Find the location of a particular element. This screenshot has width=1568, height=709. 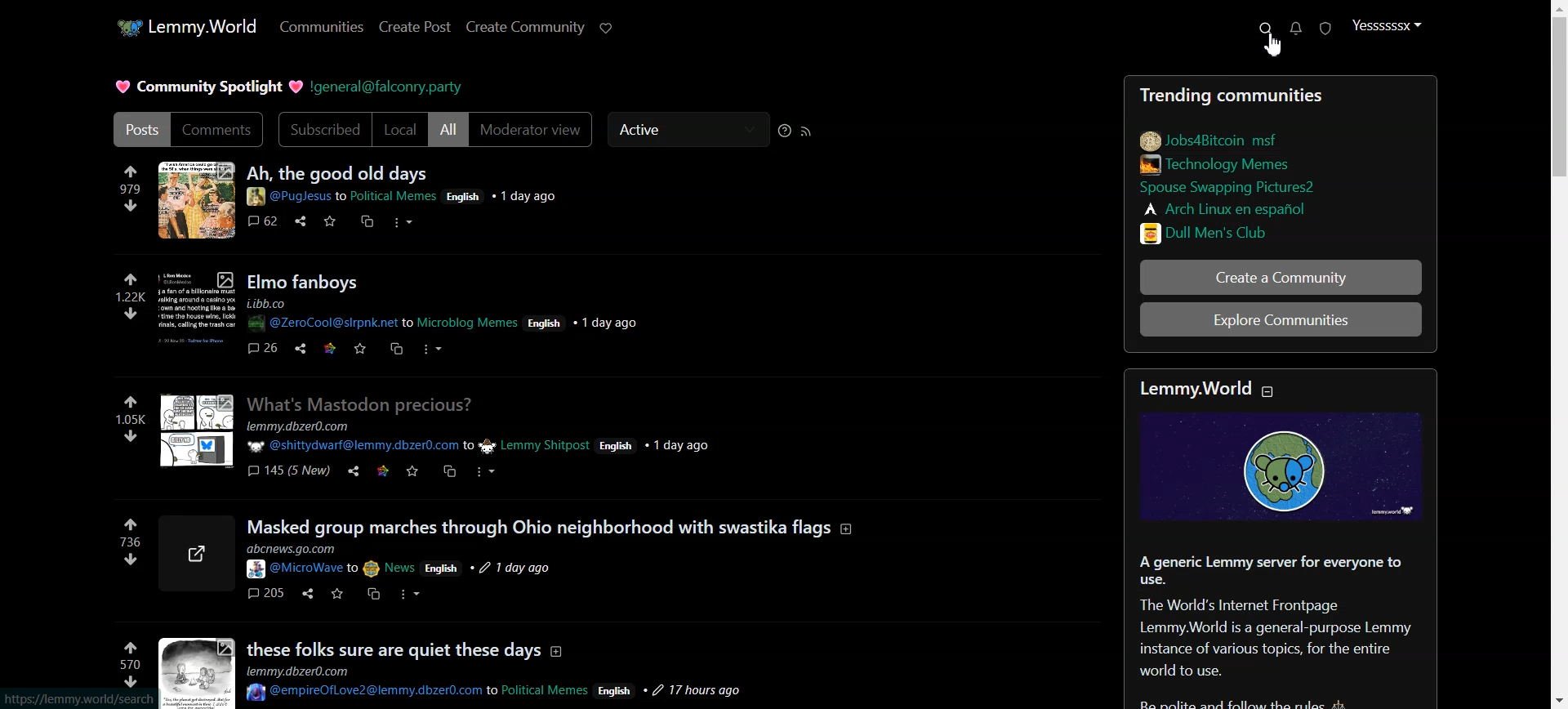

link is located at coordinates (76, 698).